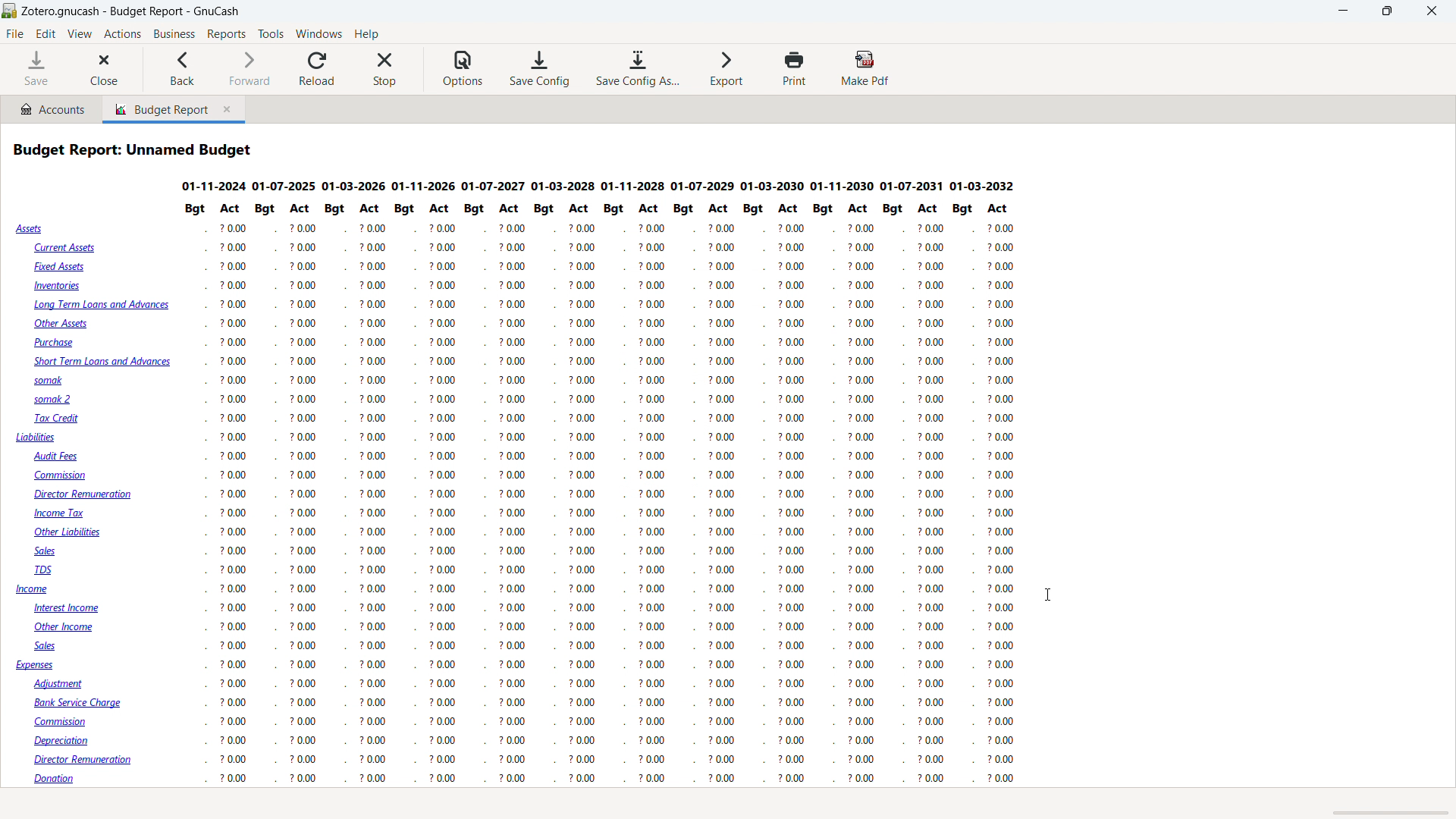  I want to click on stop, so click(385, 69).